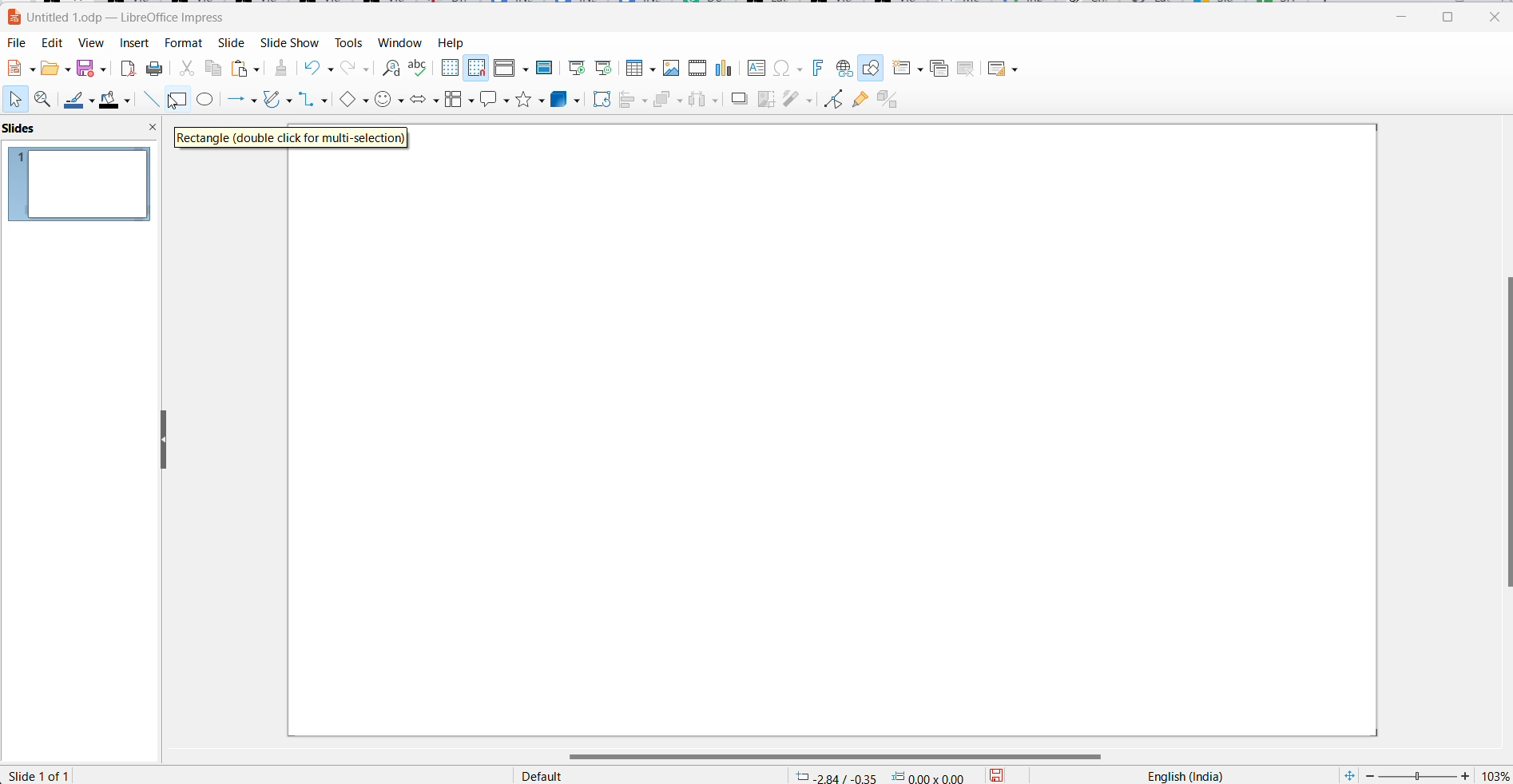 The height and width of the screenshot is (784, 1513). I want to click on Start from first slide, so click(578, 66).